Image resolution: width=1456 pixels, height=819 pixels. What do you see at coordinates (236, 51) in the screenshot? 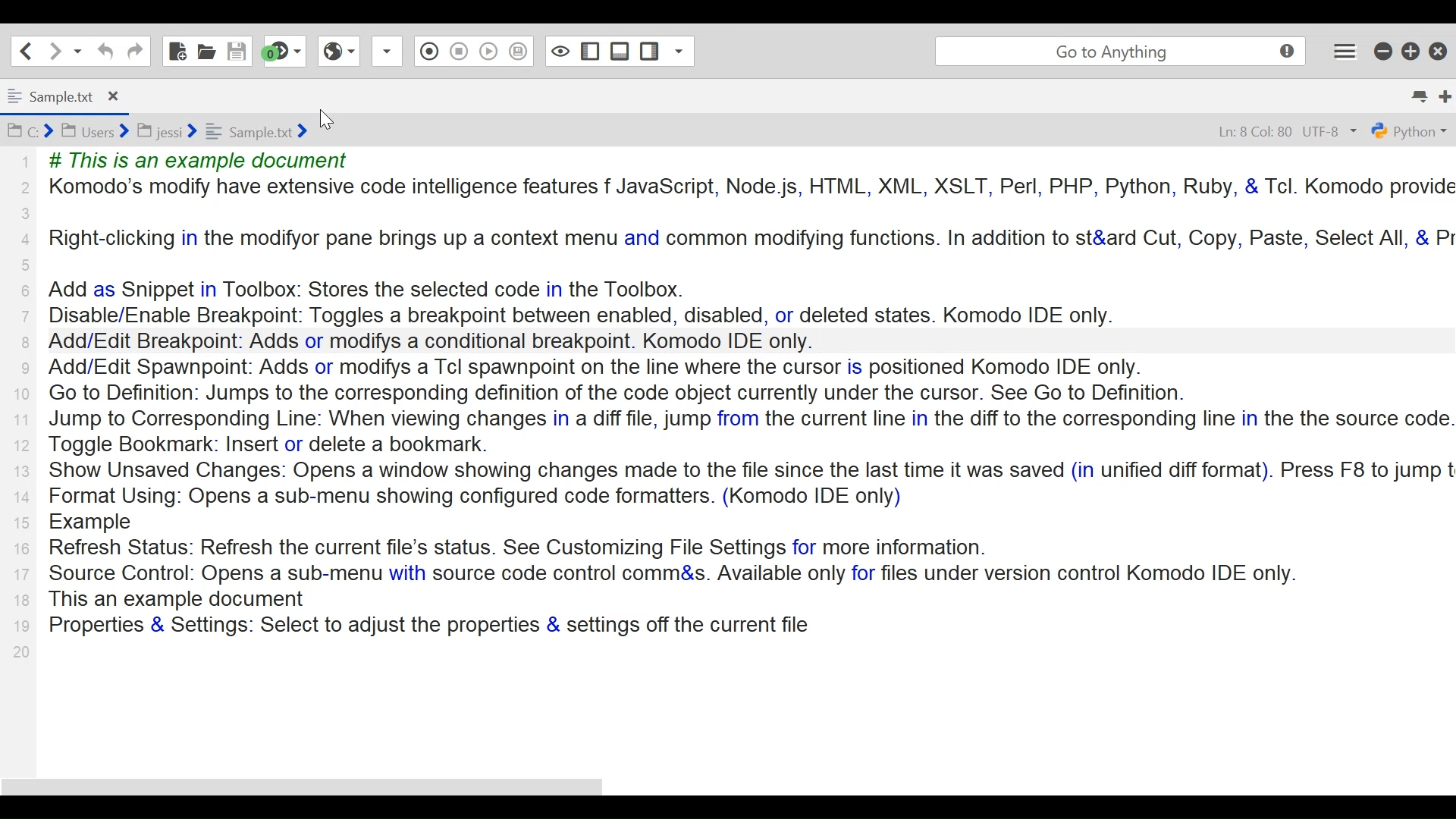
I see `Save File` at bounding box center [236, 51].